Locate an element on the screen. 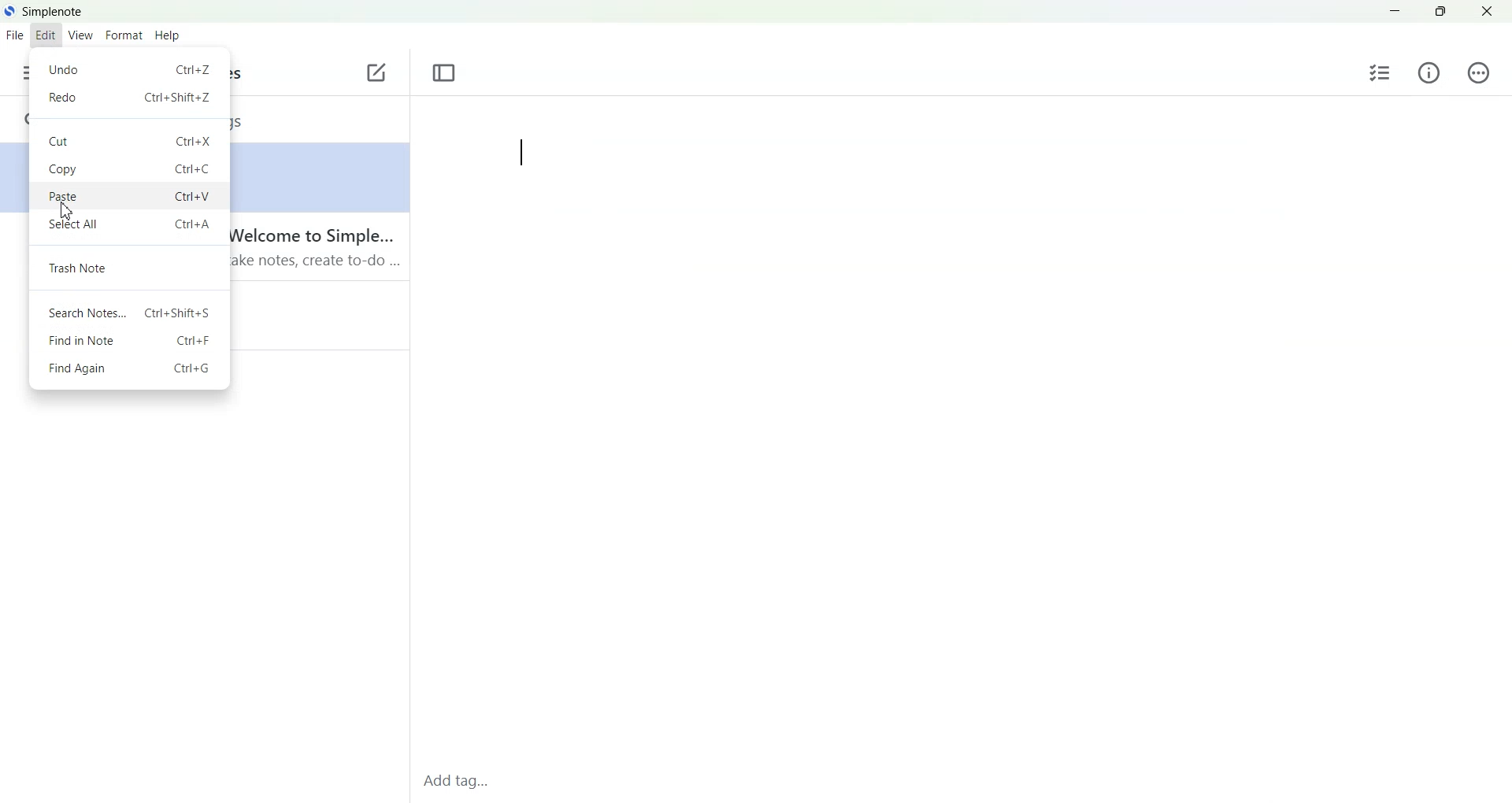 The image size is (1512, 803). Info is located at coordinates (1429, 72).